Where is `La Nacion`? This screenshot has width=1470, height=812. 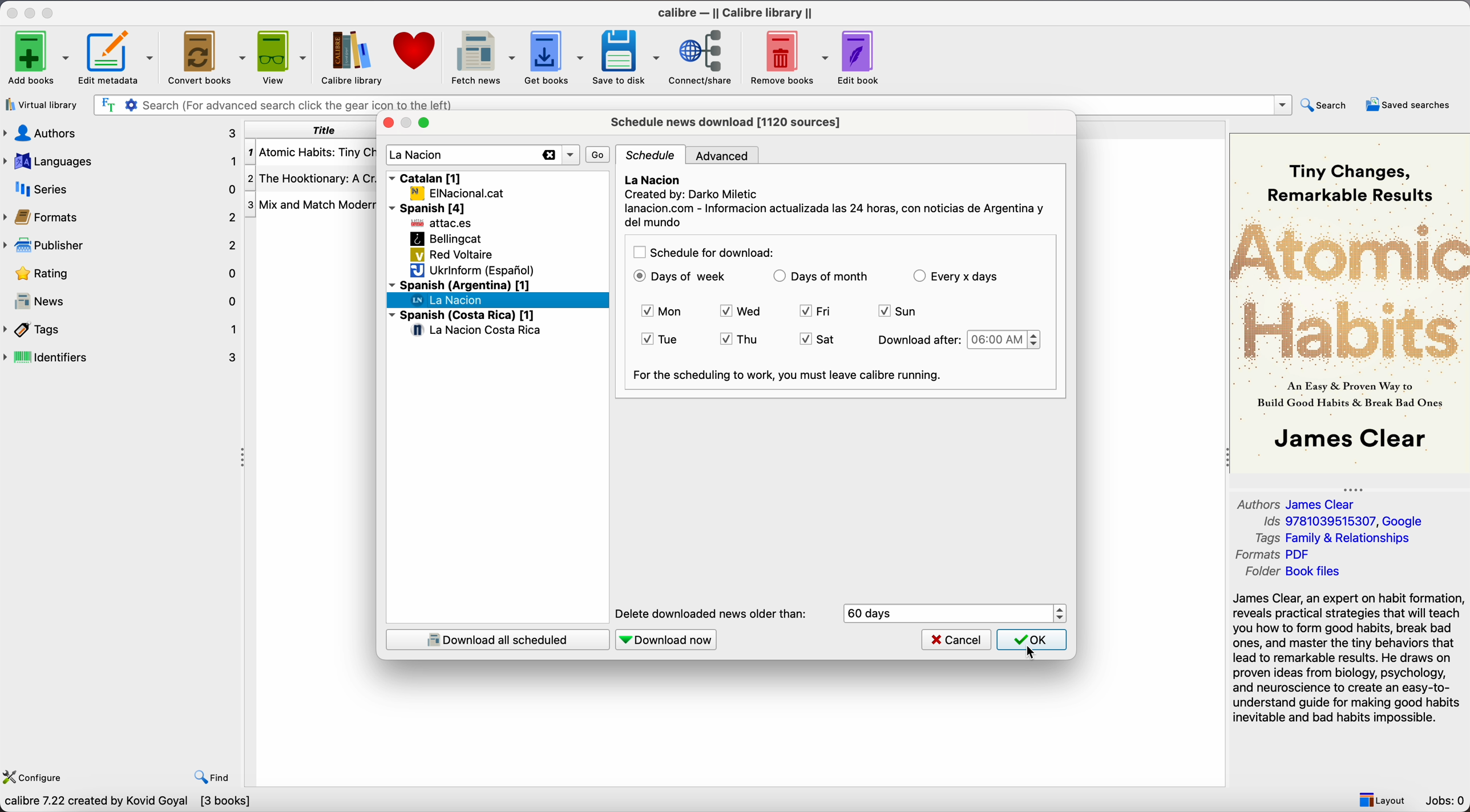
La Nacion is located at coordinates (654, 179).